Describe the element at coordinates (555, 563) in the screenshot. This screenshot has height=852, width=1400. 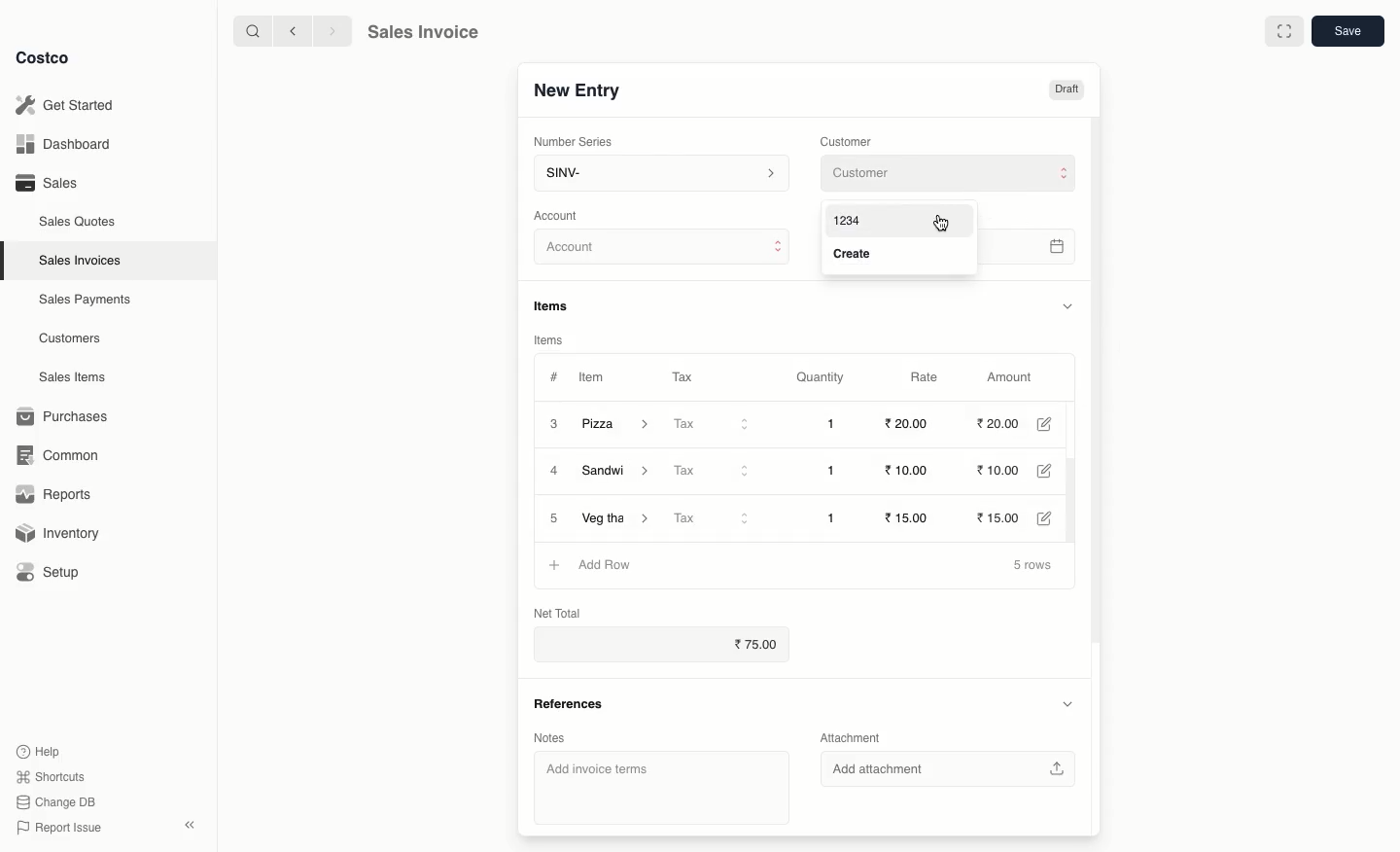
I see `Add` at that location.